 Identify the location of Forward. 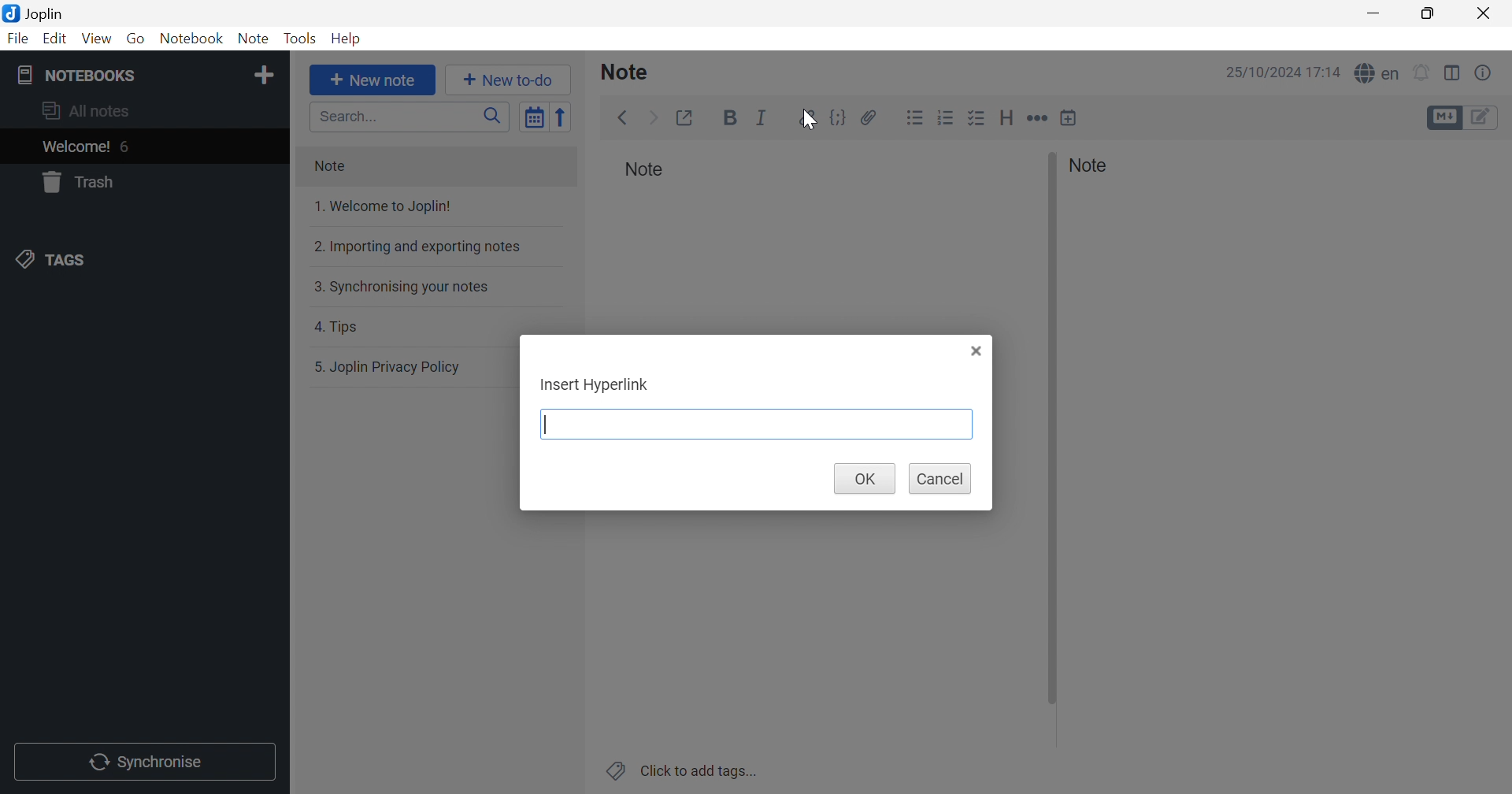
(654, 117).